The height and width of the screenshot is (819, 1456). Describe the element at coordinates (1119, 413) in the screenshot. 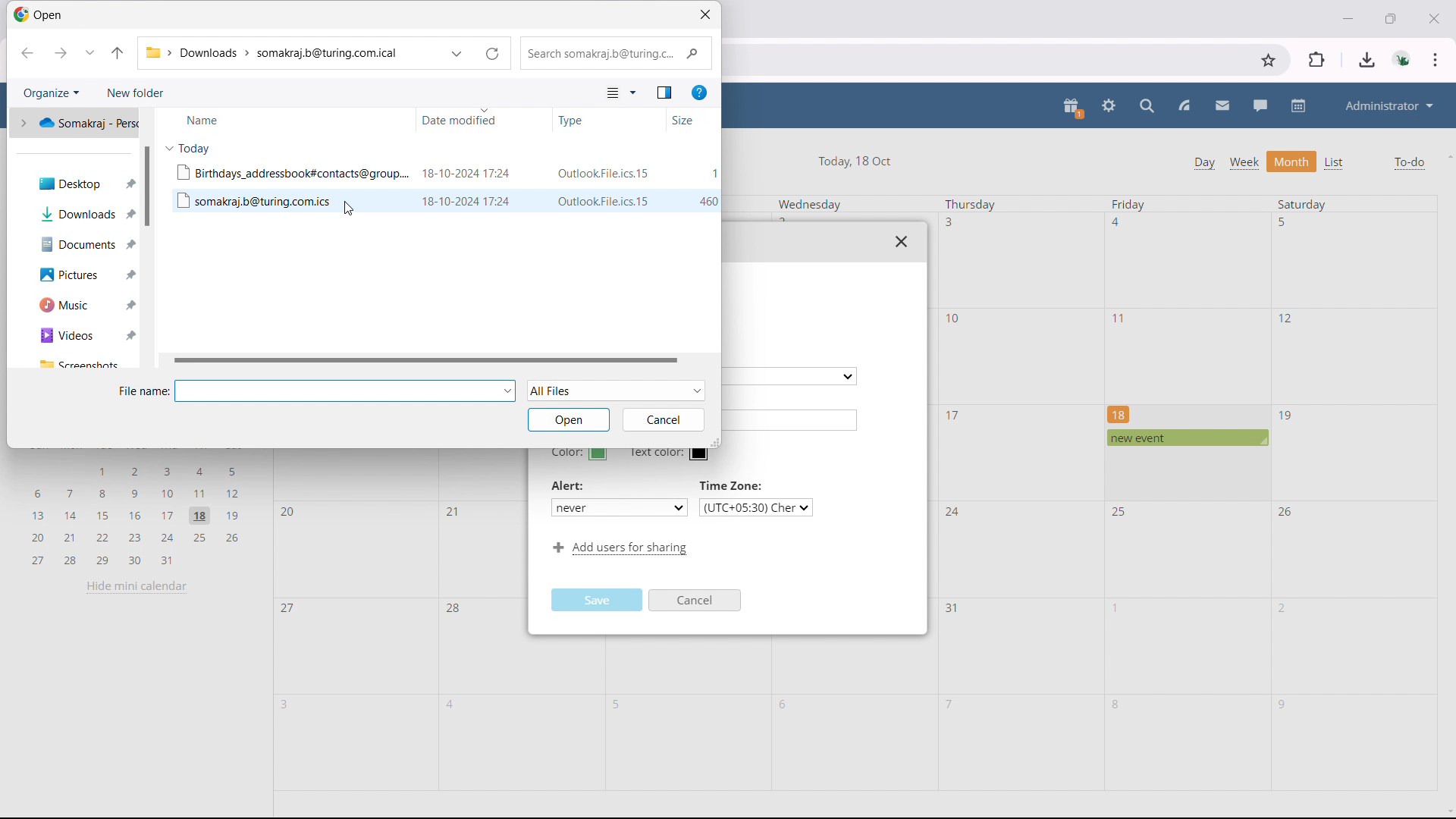

I see `18` at that location.